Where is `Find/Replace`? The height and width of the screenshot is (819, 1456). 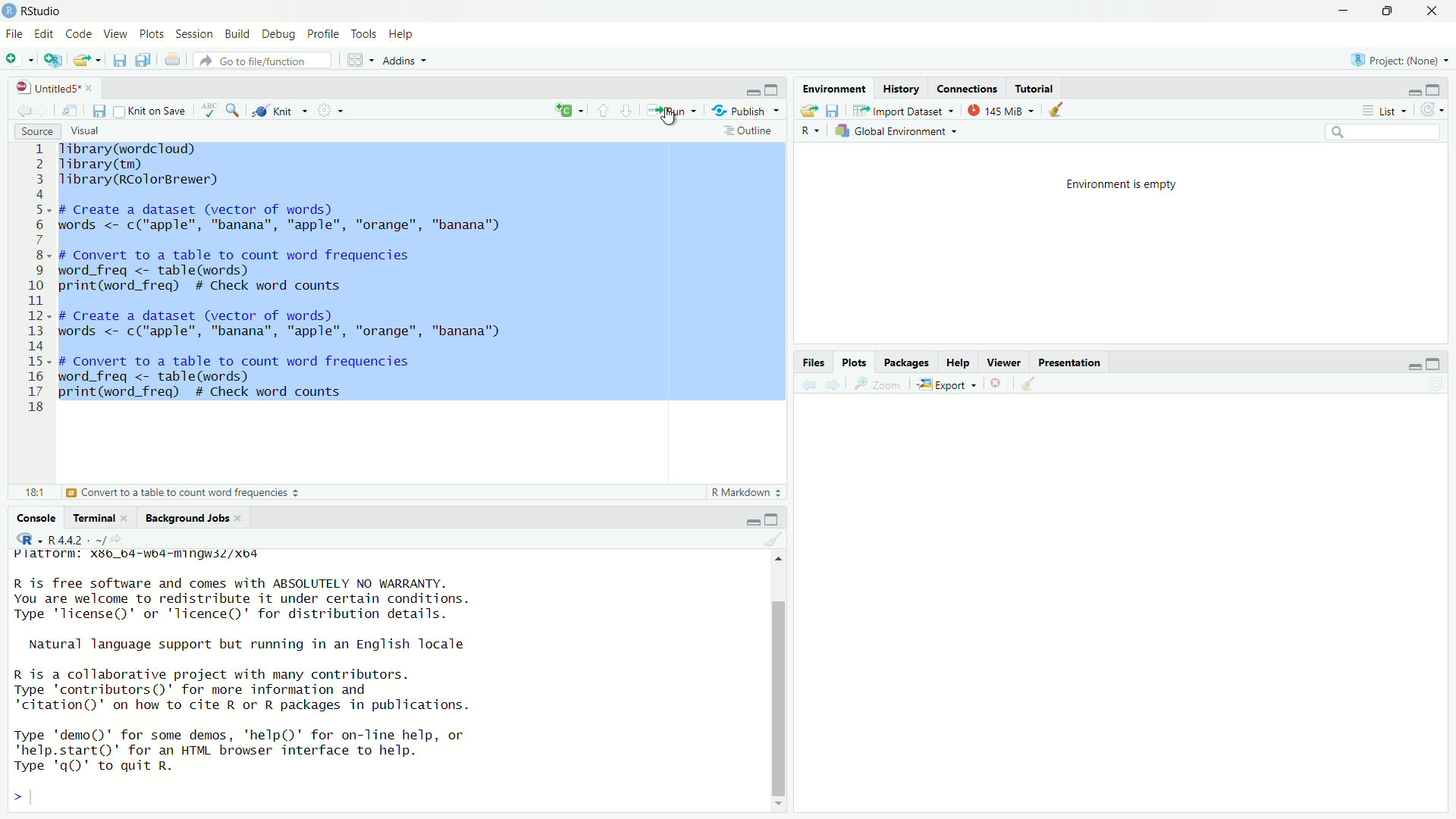 Find/Replace is located at coordinates (231, 109).